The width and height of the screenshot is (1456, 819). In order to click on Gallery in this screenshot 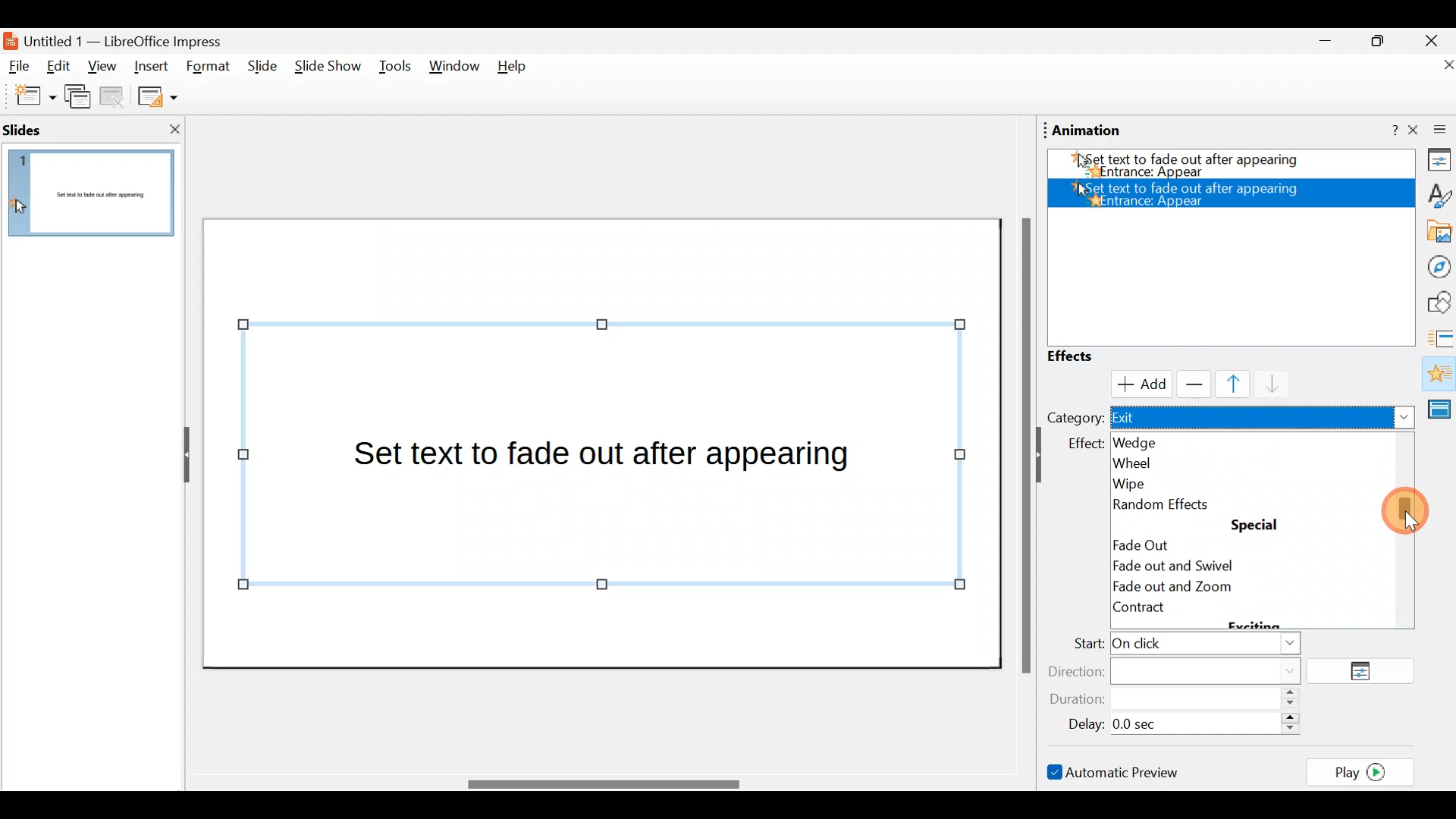, I will do `click(1436, 232)`.